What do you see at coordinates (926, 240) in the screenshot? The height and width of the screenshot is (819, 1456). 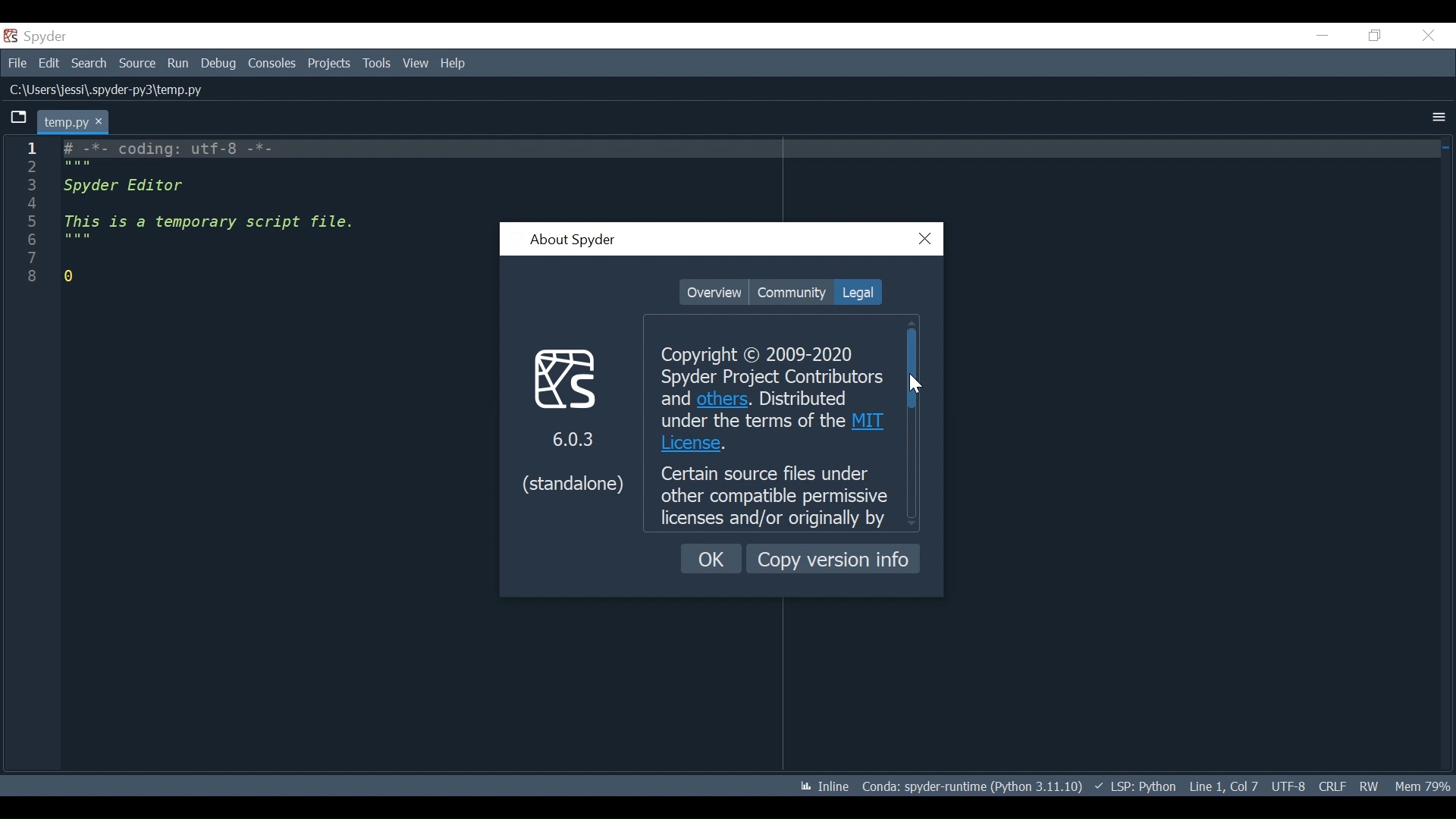 I see `Close` at bounding box center [926, 240].